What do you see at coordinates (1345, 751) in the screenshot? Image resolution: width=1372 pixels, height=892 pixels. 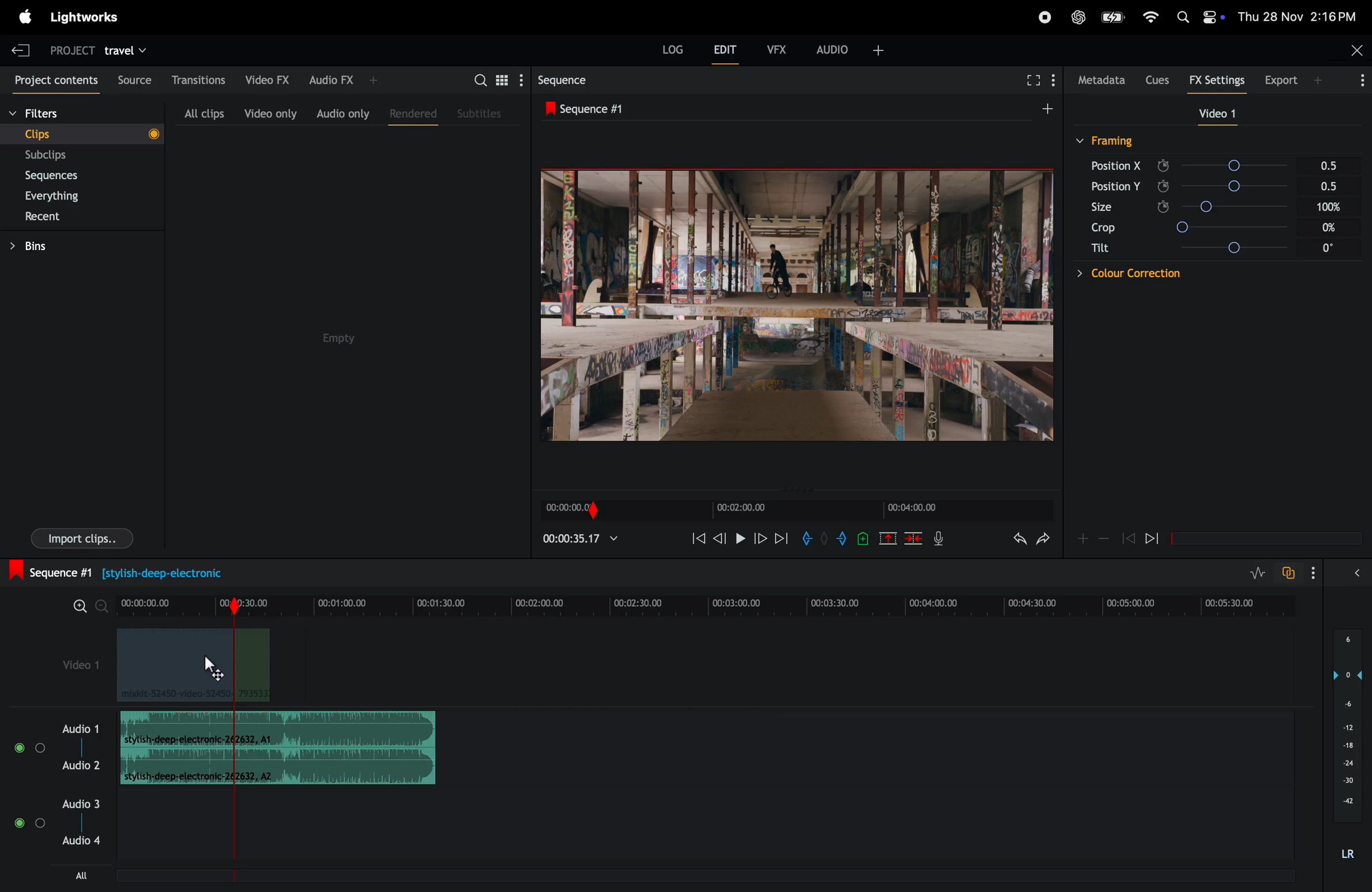 I see `pitch level` at bounding box center [1345, 751].